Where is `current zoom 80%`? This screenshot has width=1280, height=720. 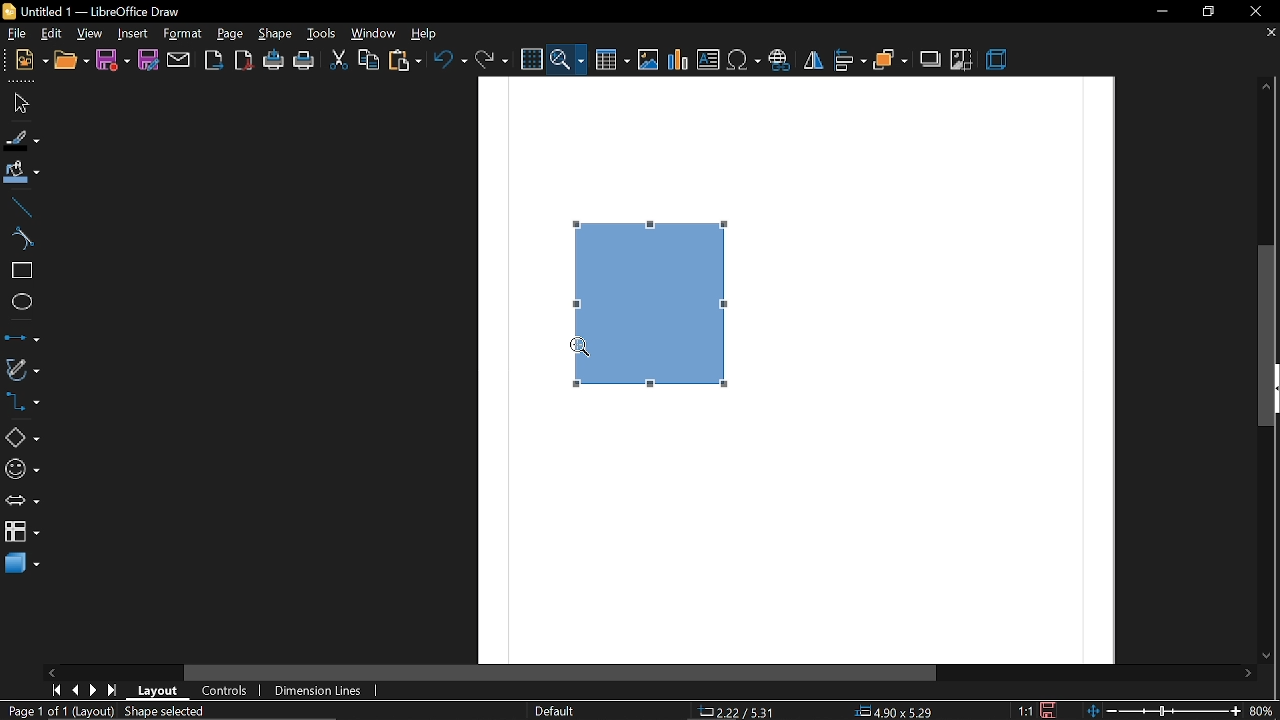 current zoom 80% is located at coordinates (1262, 708).